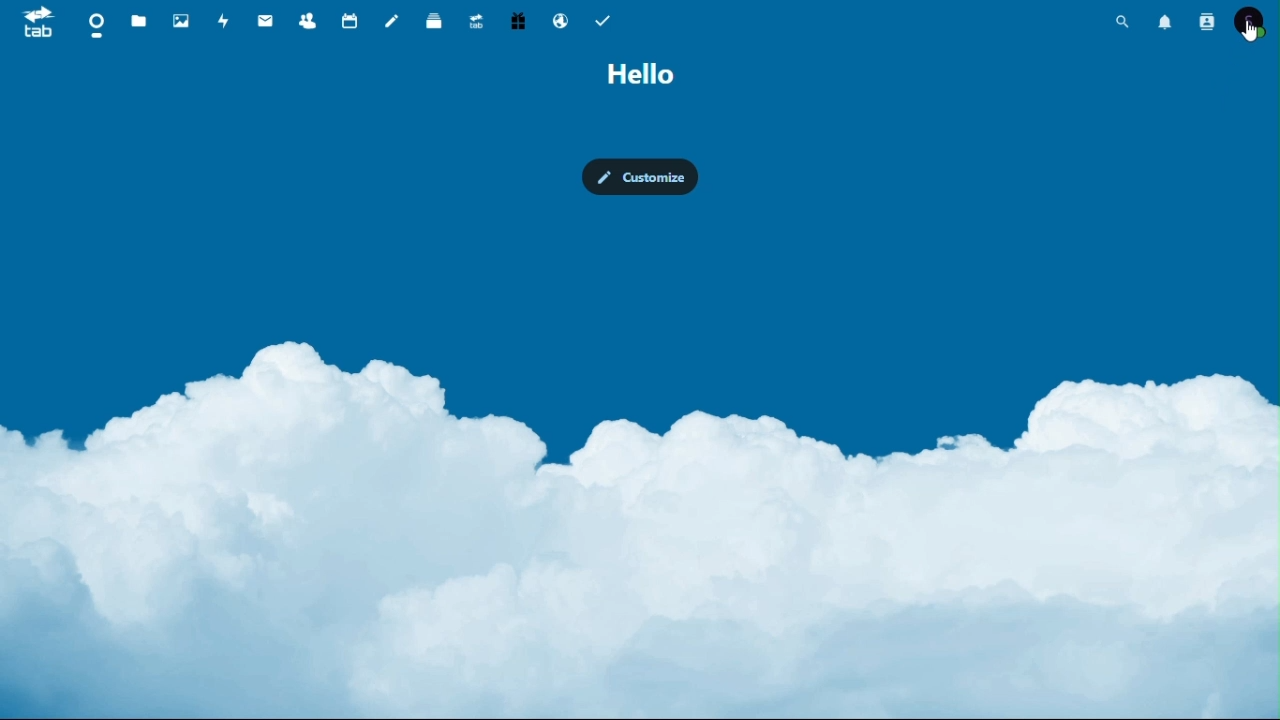 The width and height of the screenshot is (1280, 720). Describe the element at coordinates (95, 24) in the screenshot. I see `Dashboard` at that location.